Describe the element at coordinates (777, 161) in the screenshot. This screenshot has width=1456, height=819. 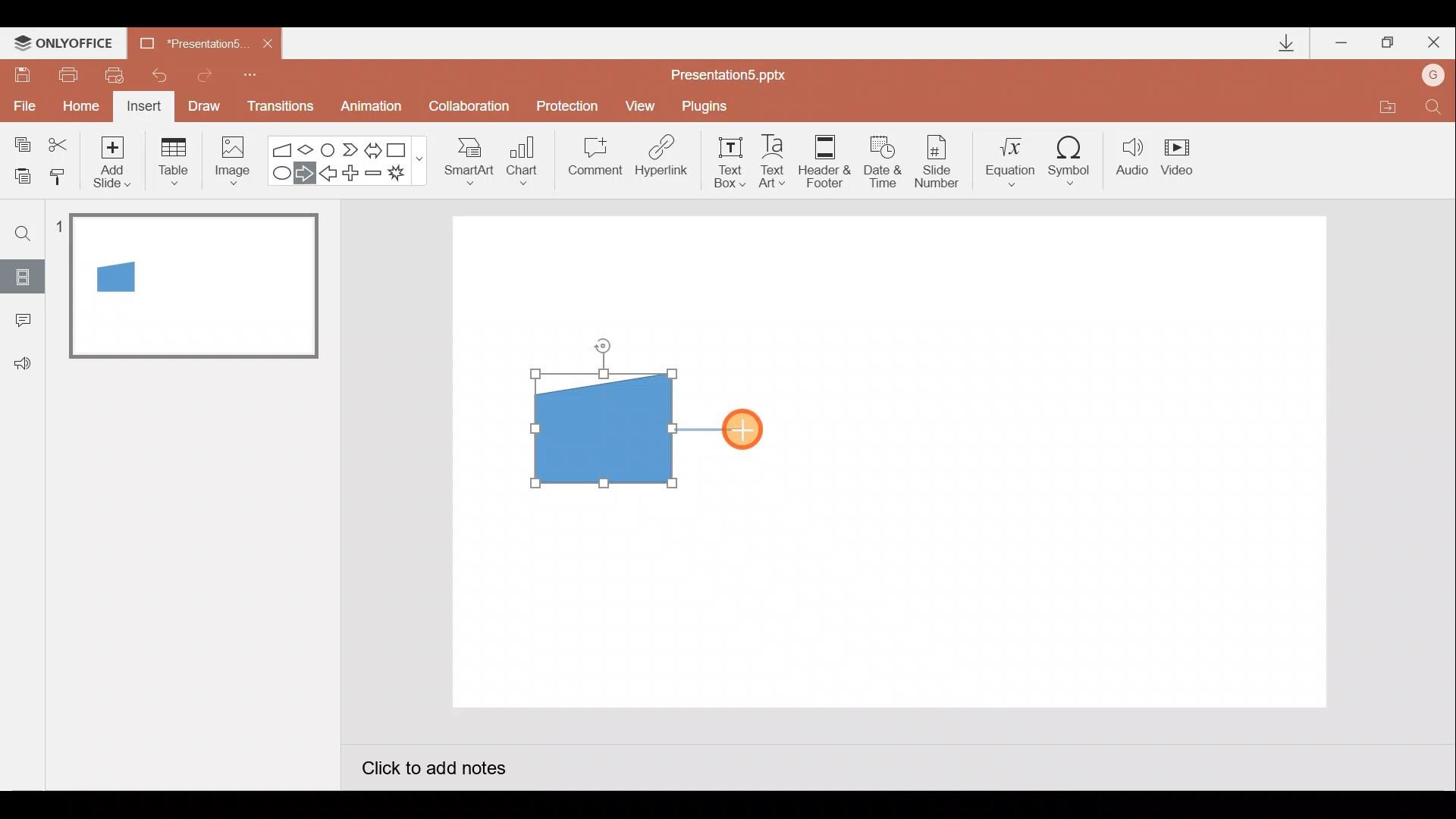
I see `Text Art` at that location.